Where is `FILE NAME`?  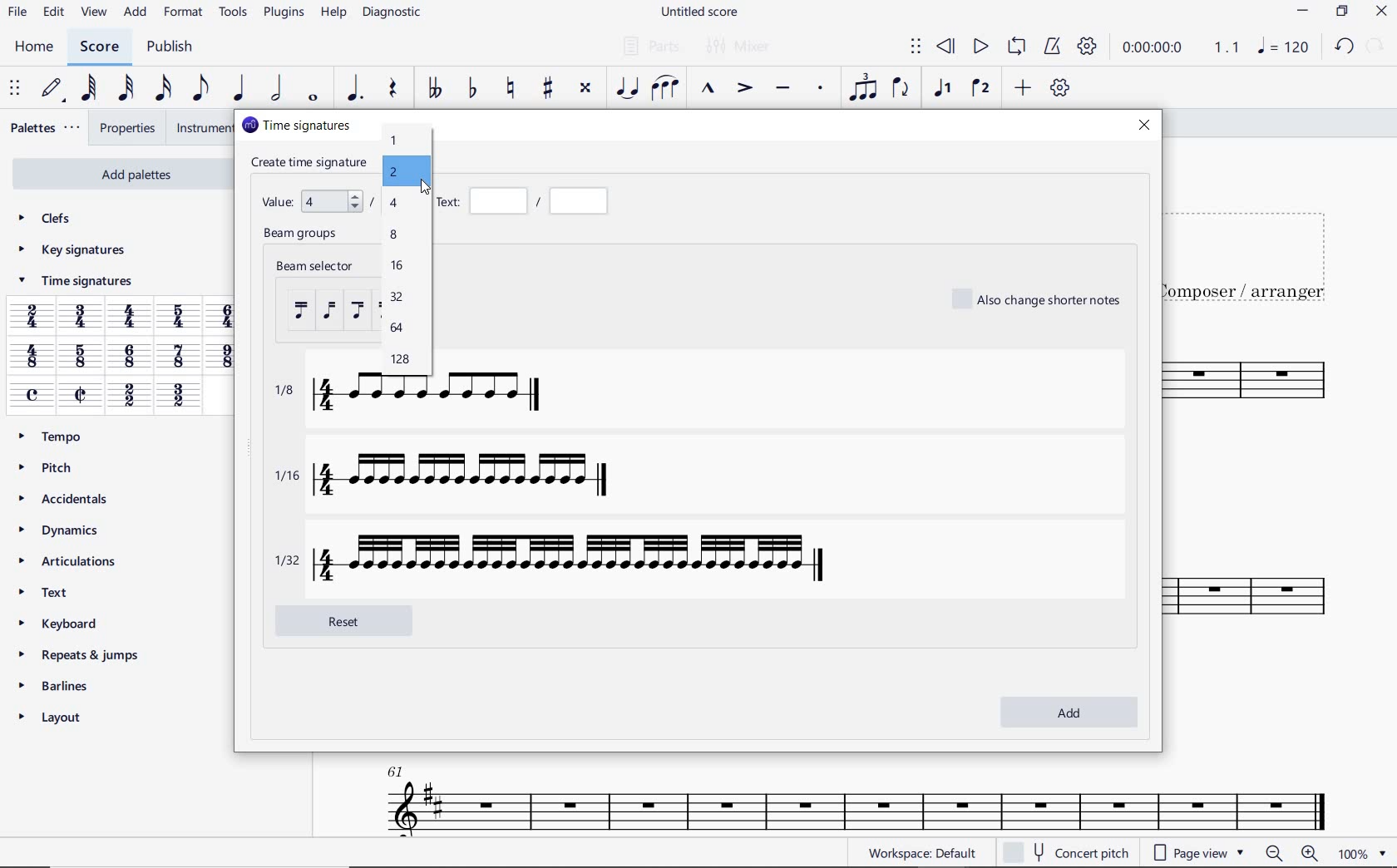
FILE NAME is located at coordinates (701, 14).